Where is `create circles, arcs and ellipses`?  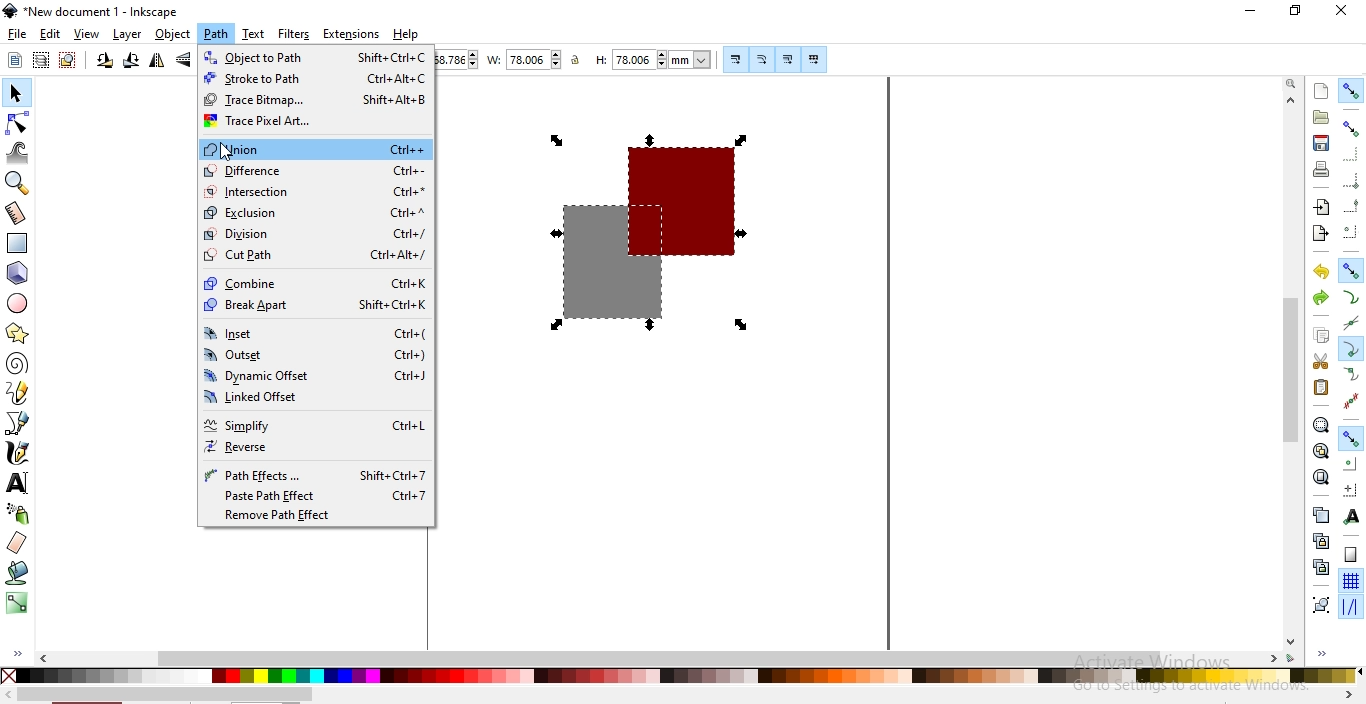
create circles, arcs and ellipses is located at coordinates (18, 304).